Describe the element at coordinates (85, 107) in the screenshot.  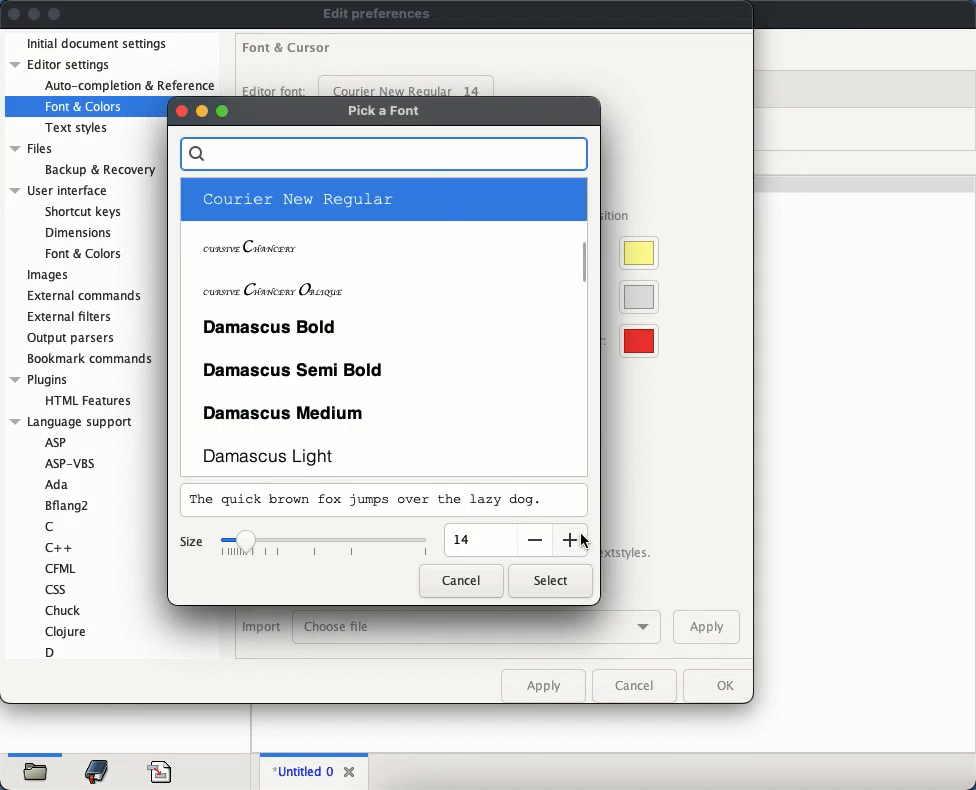
I see `font and colors` at that location.